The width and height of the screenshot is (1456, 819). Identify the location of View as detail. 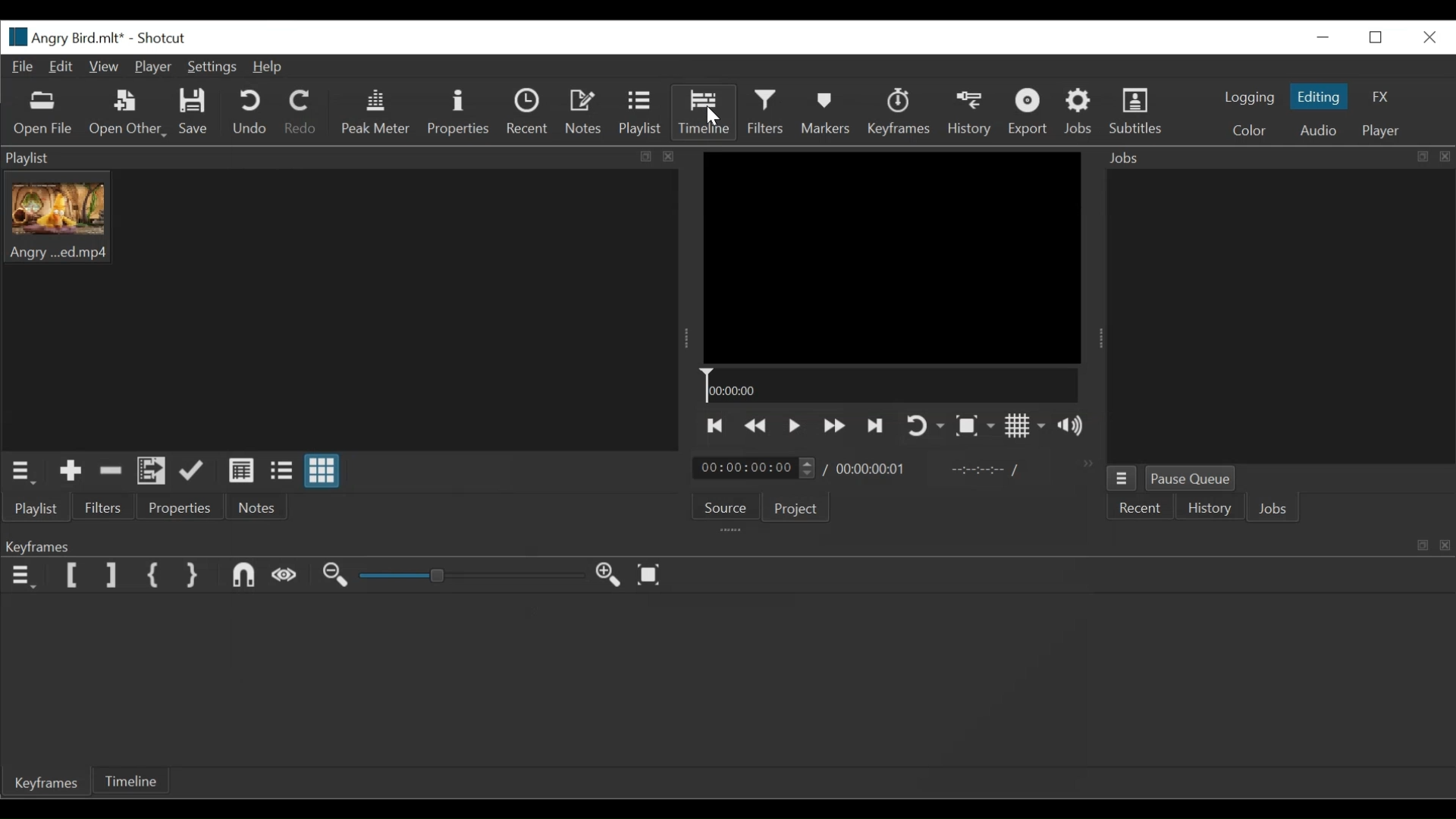
(240, 471).